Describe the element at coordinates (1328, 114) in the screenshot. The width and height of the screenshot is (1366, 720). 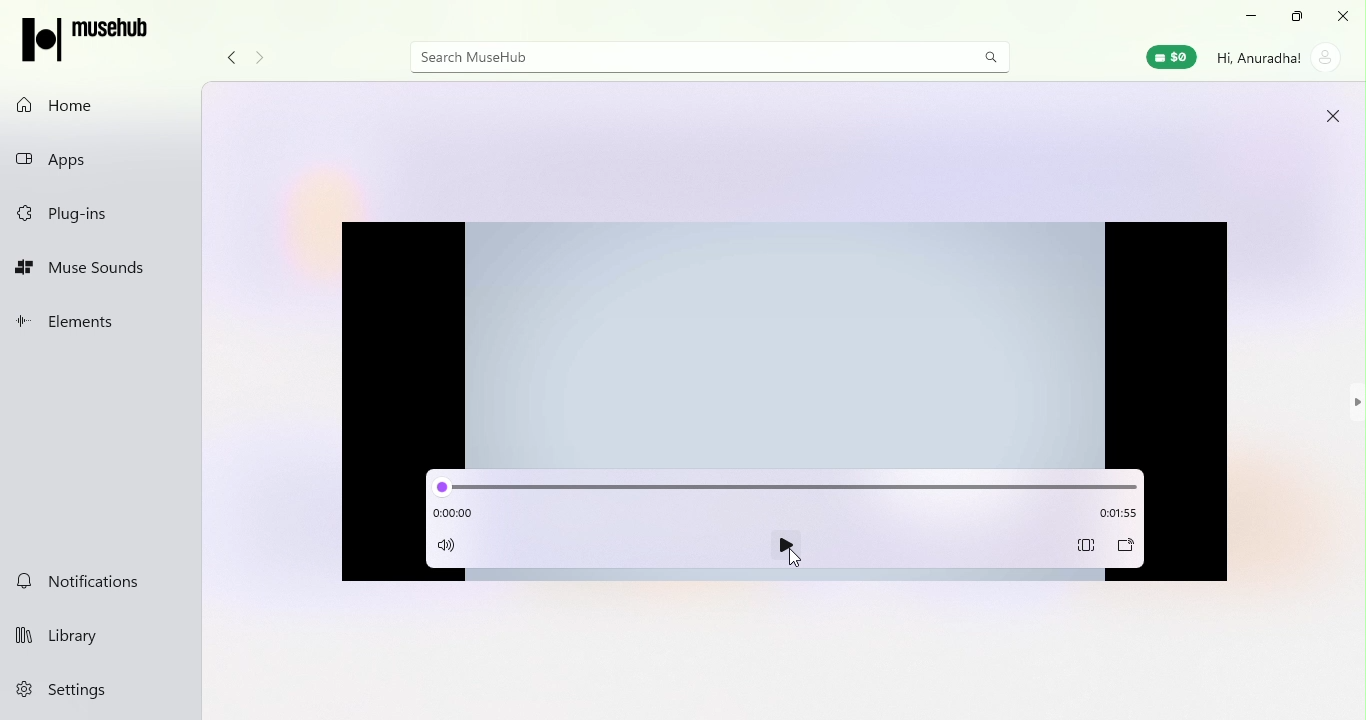
I see `close` at that location.